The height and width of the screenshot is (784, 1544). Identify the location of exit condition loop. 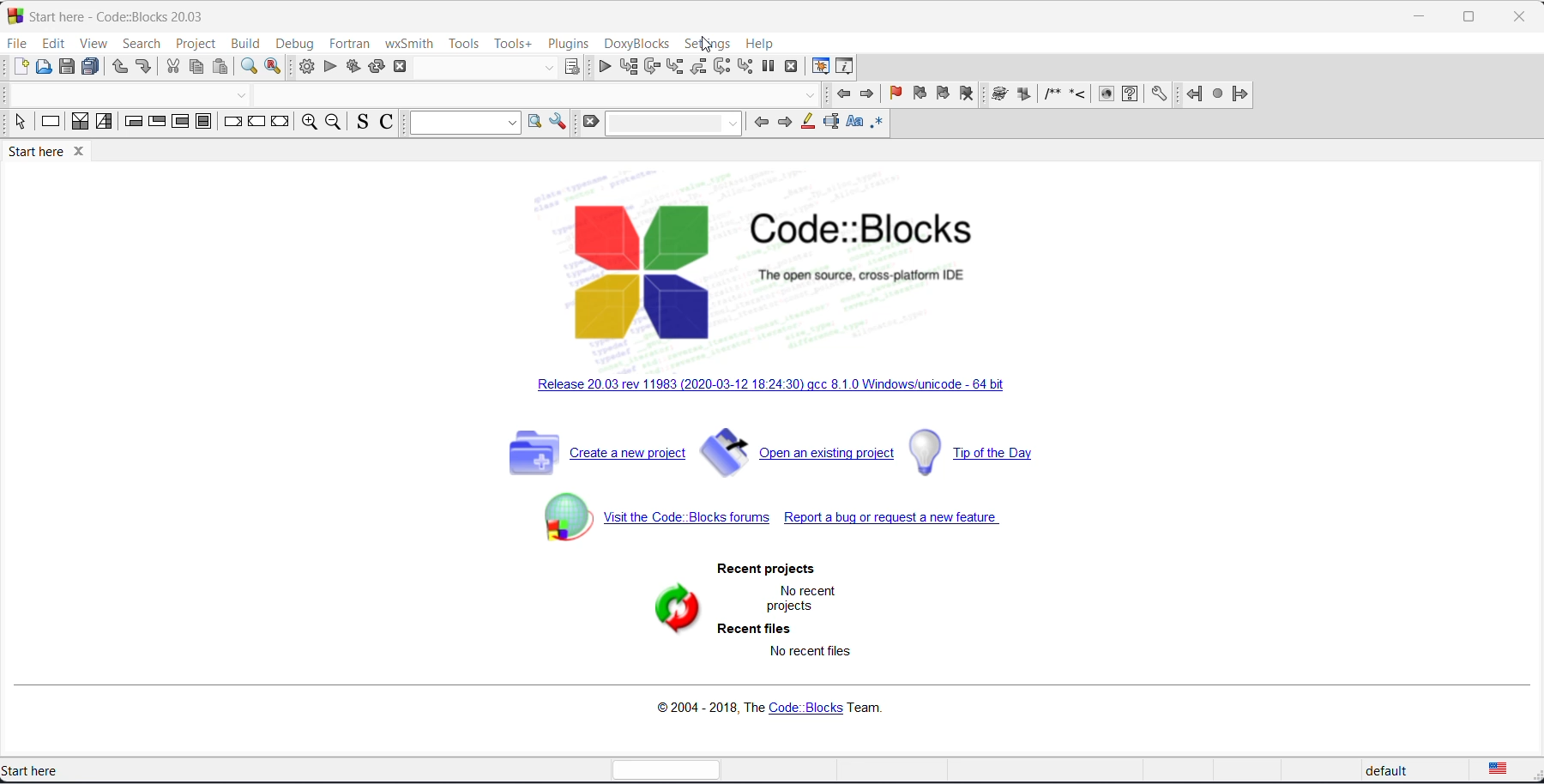
(158, 121).